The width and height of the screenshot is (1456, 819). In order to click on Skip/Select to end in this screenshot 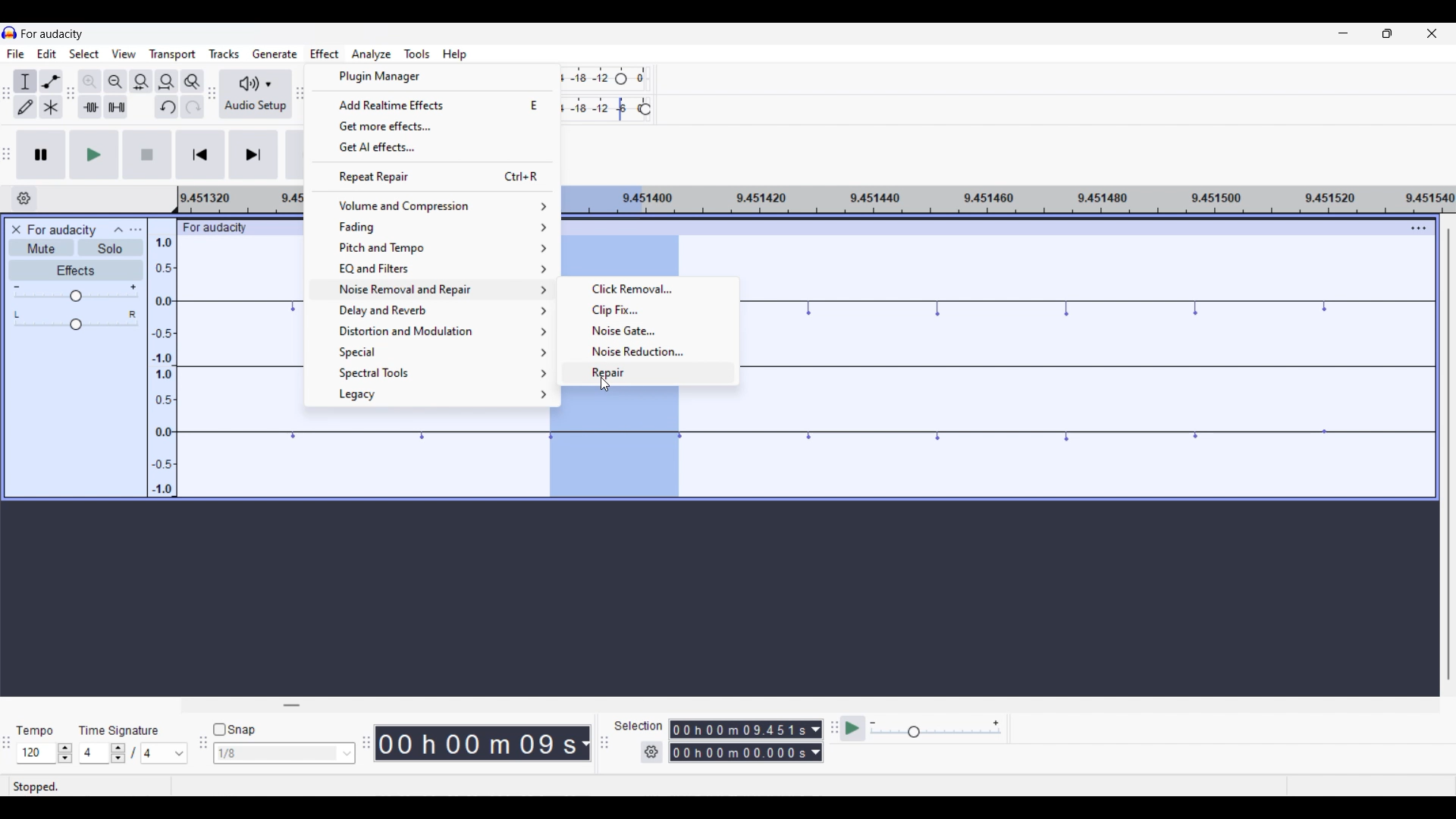, I will do `click(253, 155)`.